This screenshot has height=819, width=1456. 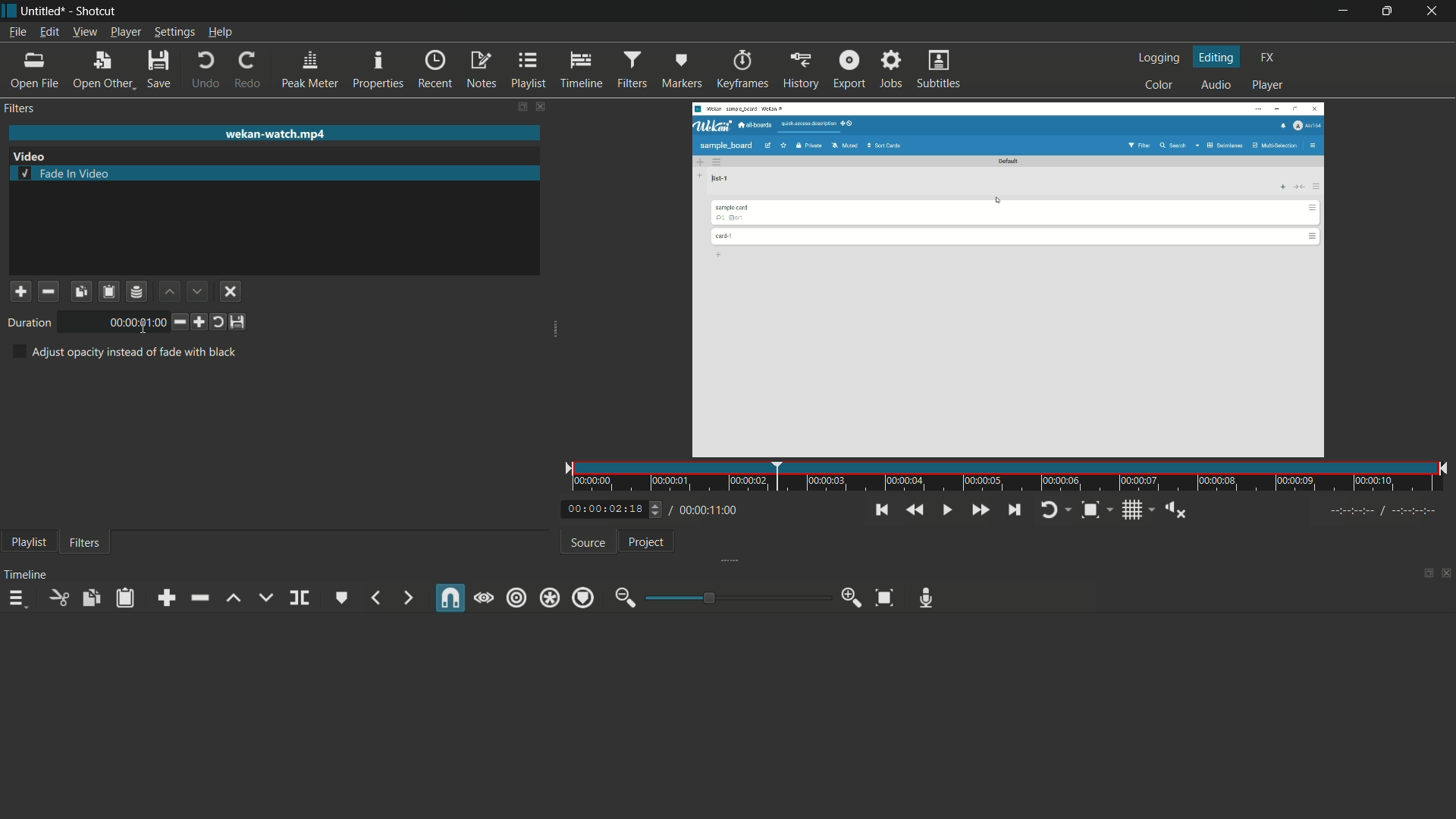 I want to click on skip to the previous point, so click(x=883, y=510).